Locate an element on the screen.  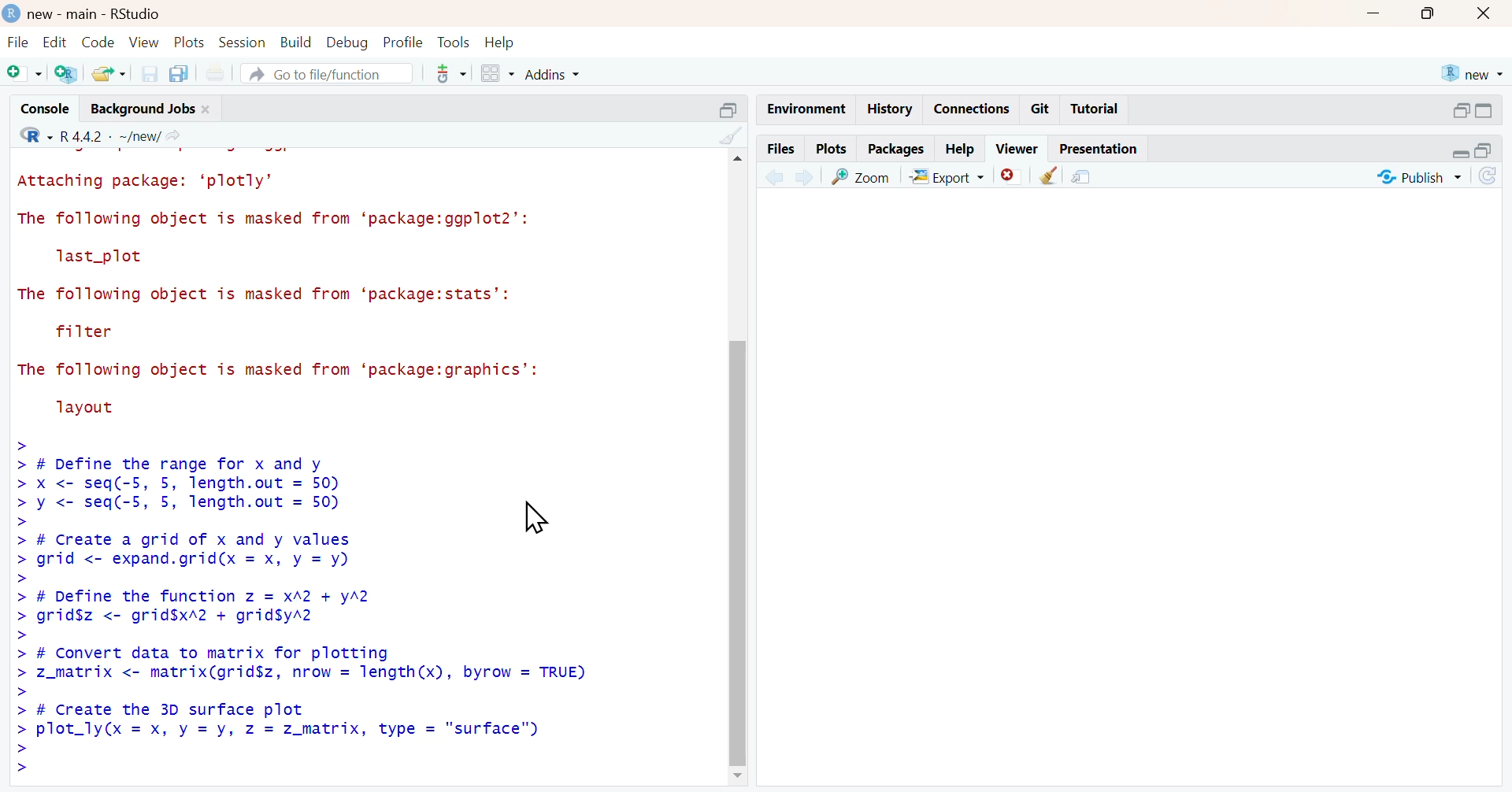
scrollbar is located at coordinates (741, 472).